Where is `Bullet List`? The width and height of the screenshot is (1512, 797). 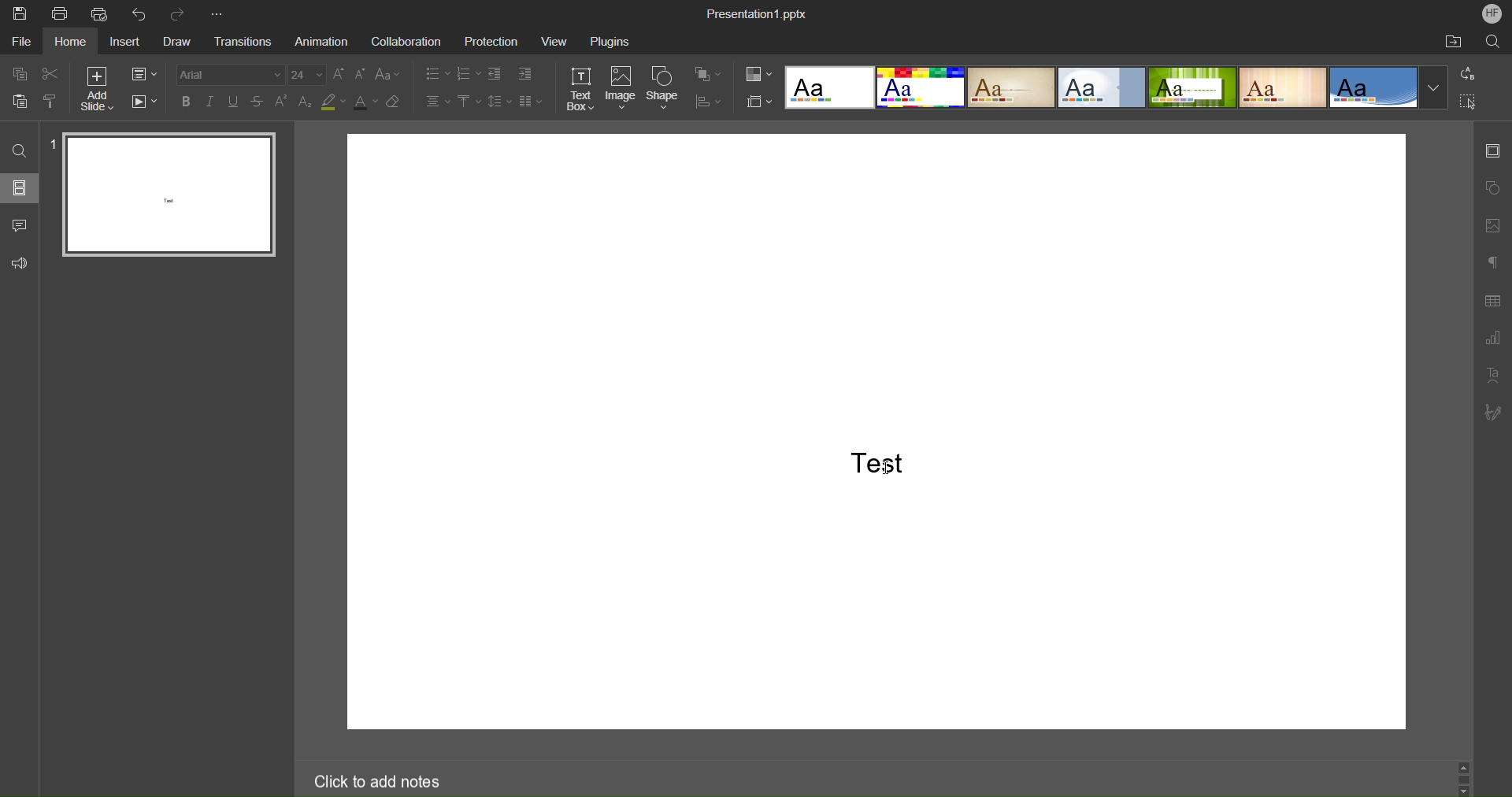 Bullet List is located at coordinates (435, 74).